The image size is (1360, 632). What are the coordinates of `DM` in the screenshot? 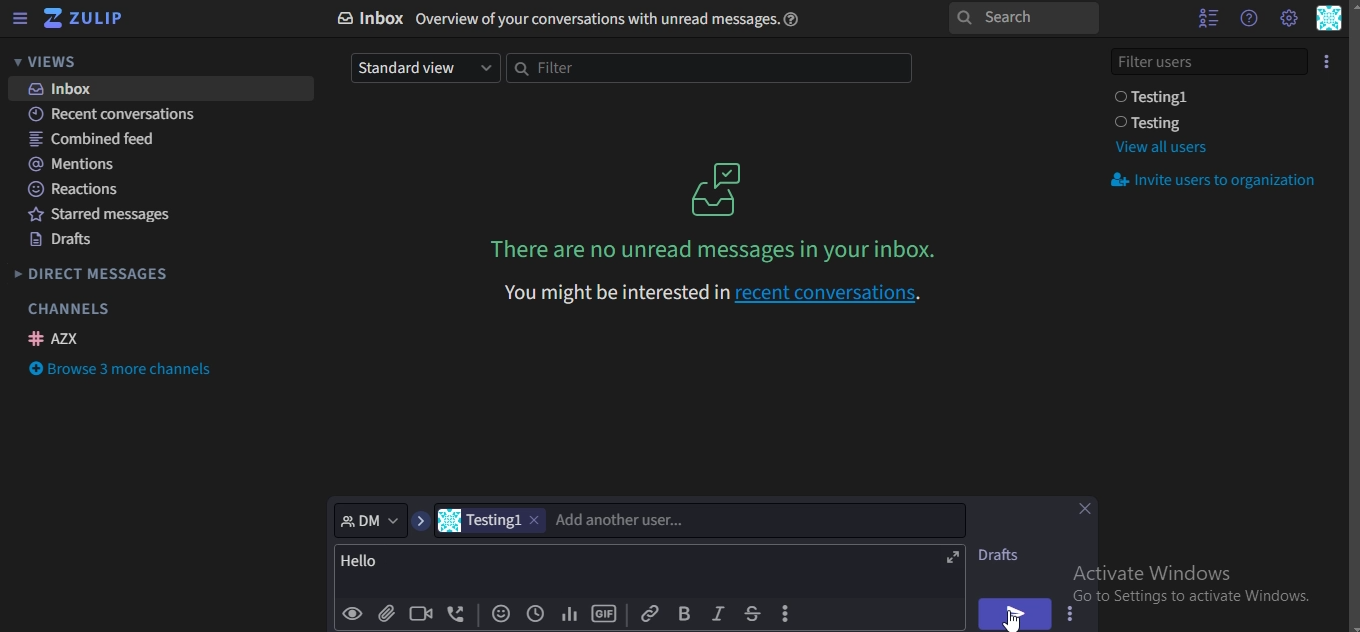 It's located at (371, 519).